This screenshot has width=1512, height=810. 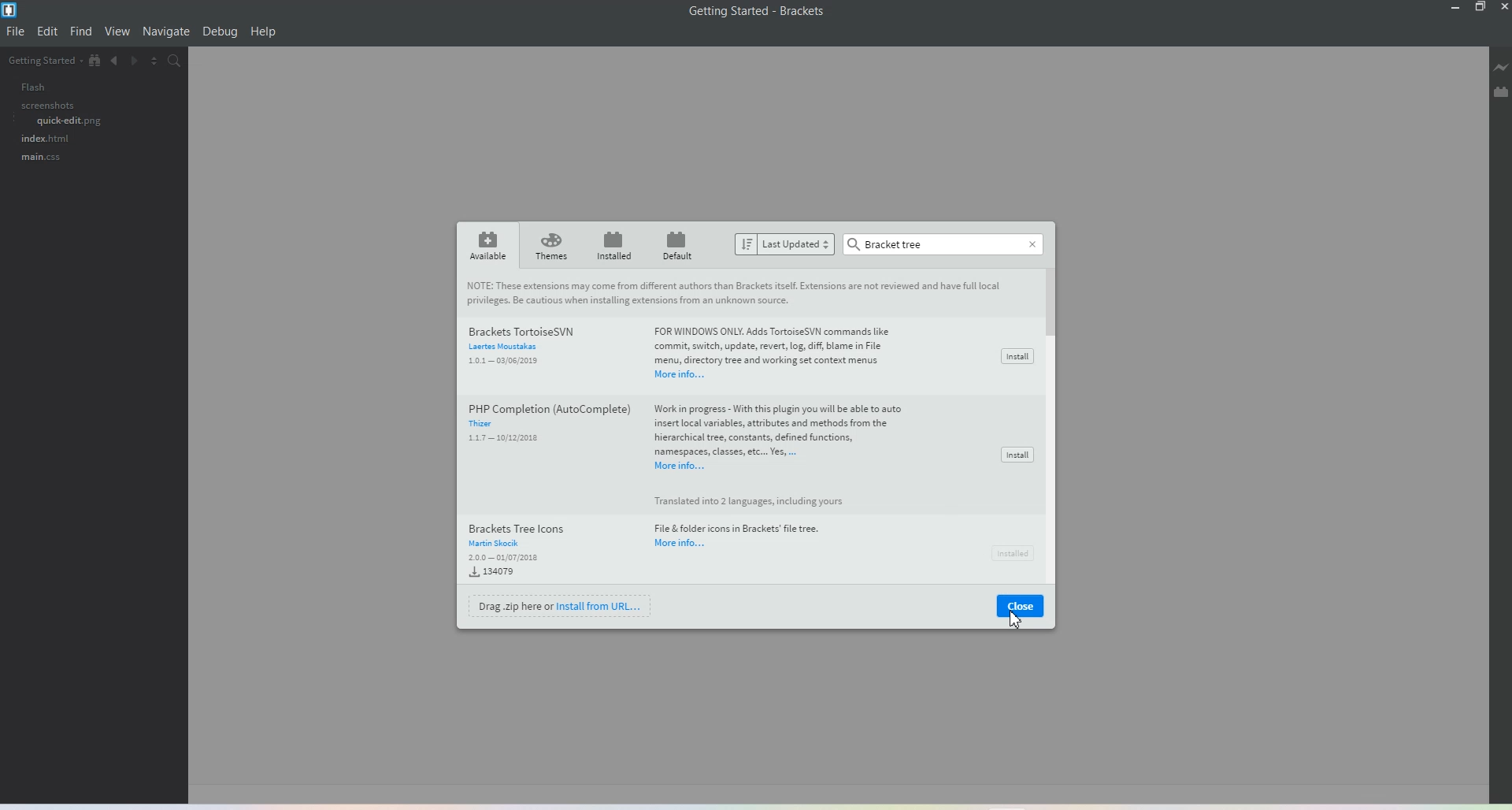 I want to click on Install, so click(x=1016, y=356).